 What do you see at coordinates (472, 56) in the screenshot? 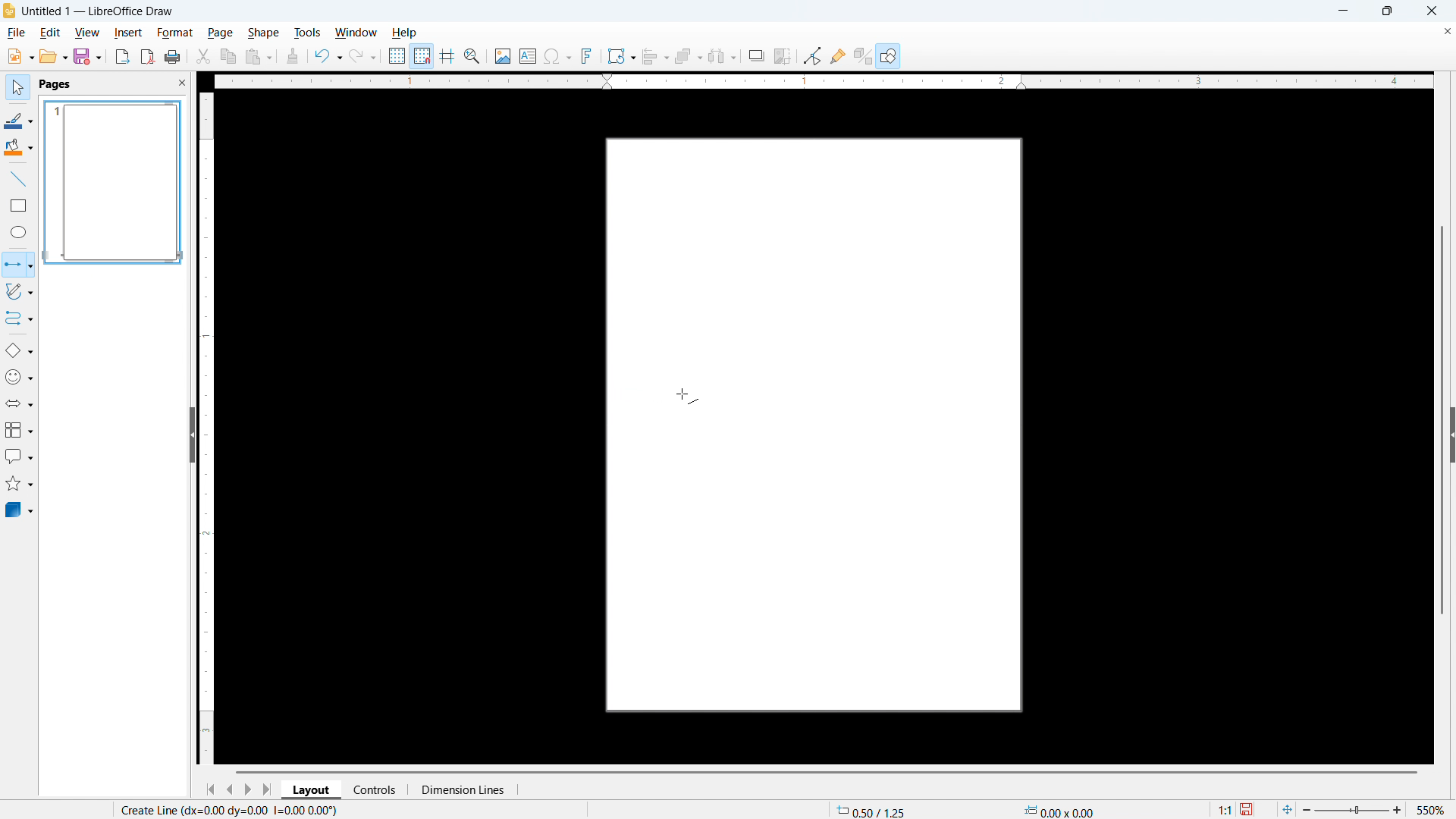
I see `Zoom ` at bounding box center [472, 56].